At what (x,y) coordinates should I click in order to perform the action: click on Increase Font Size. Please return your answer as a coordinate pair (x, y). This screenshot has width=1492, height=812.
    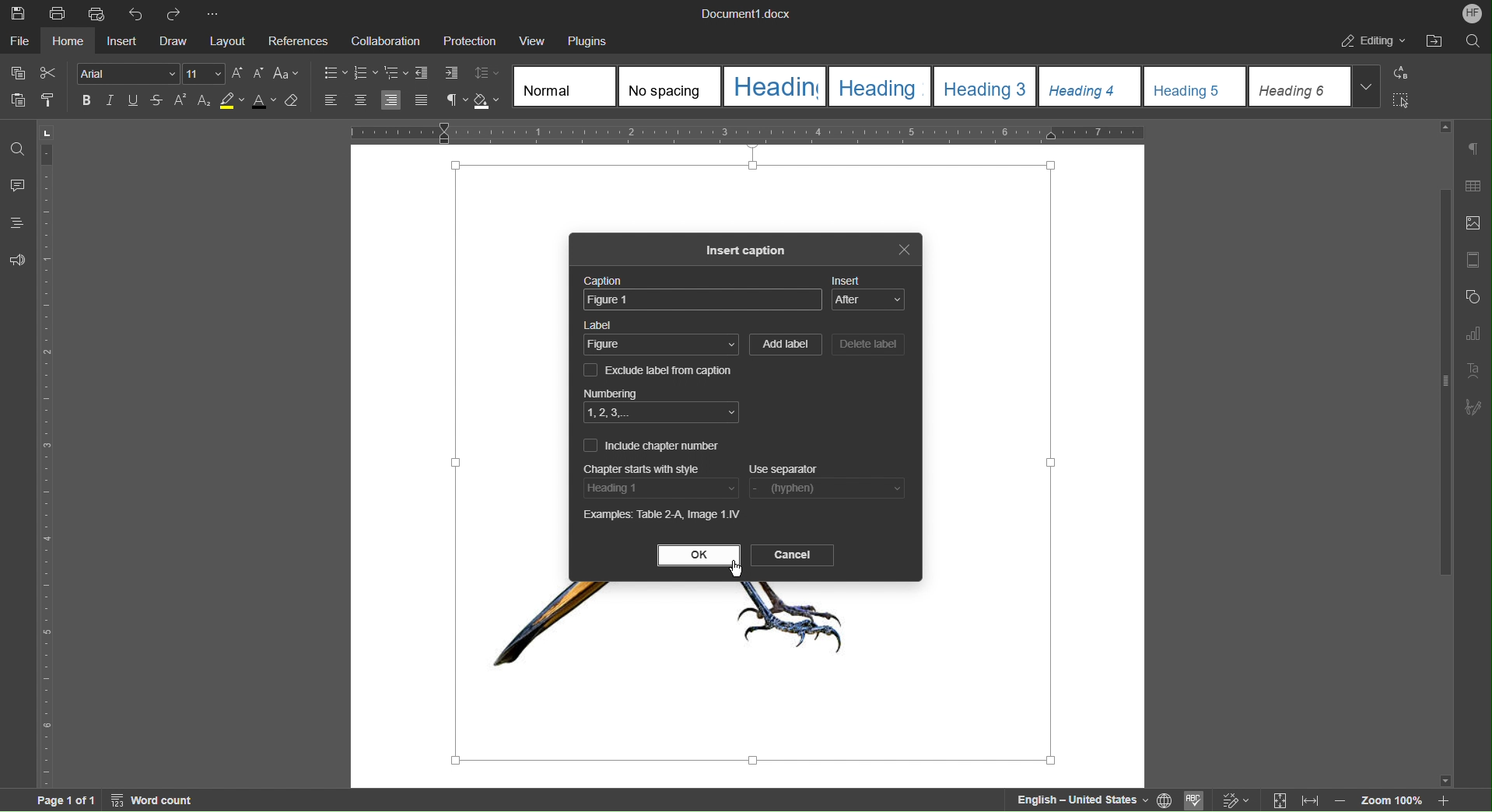
    Looking at the image, I should click on (239, 73).